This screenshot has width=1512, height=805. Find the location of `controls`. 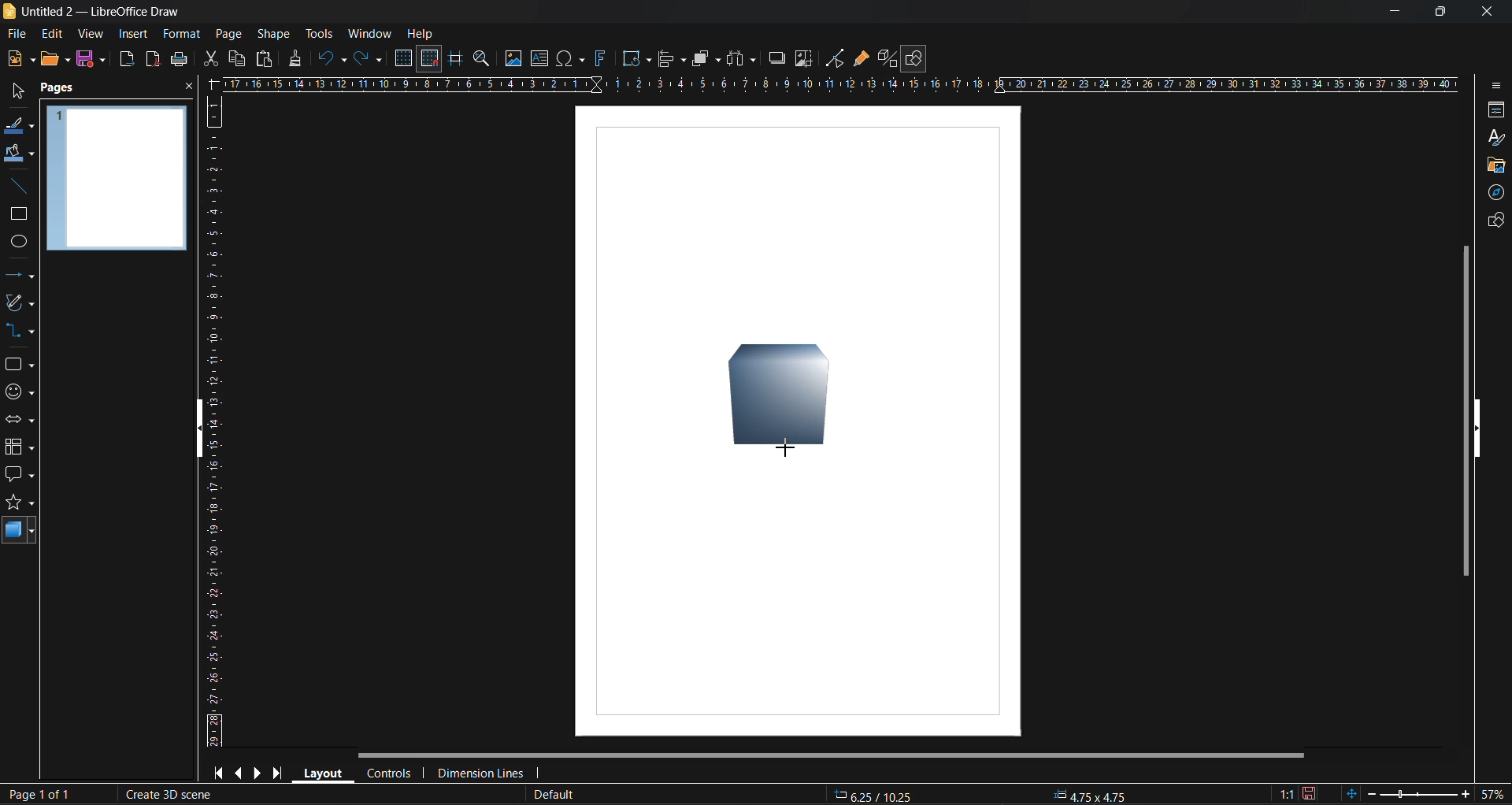

controls is located at coordinates (392, 773).